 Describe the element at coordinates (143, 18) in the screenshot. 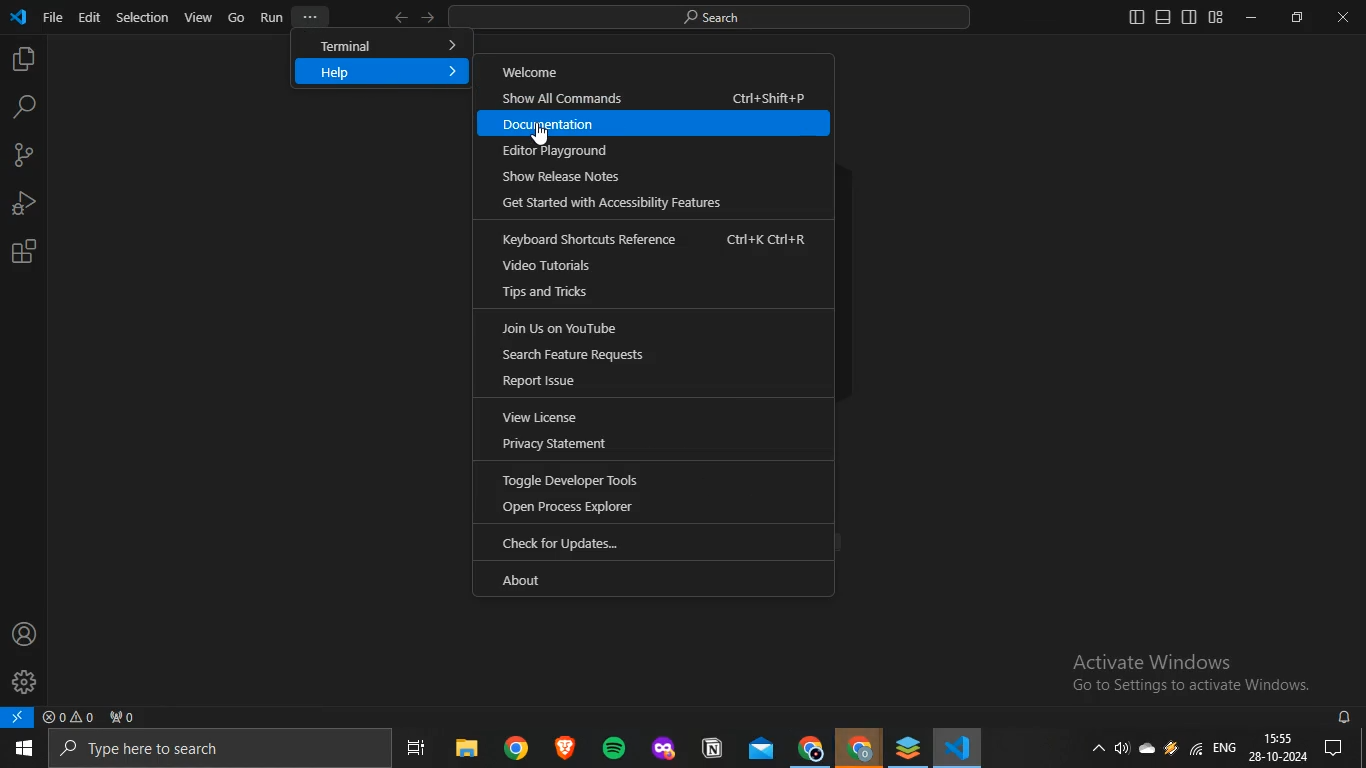

I see `selection` at that location.